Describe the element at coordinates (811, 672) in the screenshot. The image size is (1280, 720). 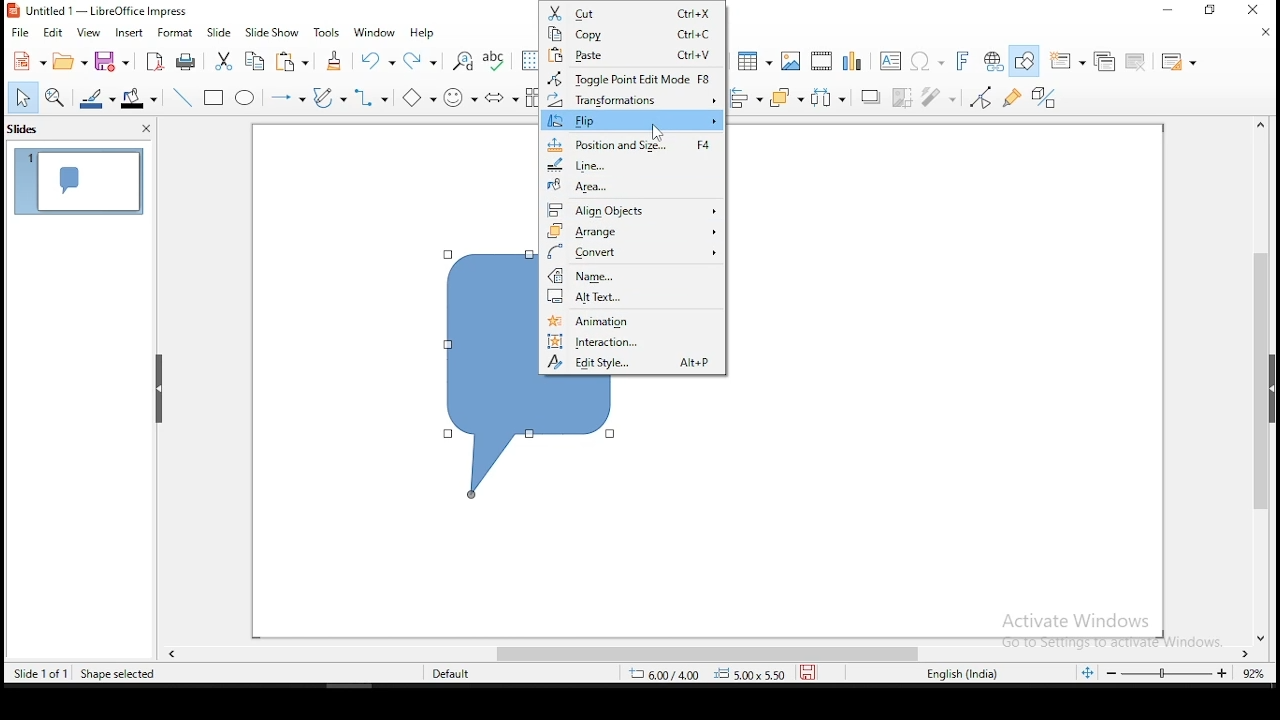
I see `save` at that location.